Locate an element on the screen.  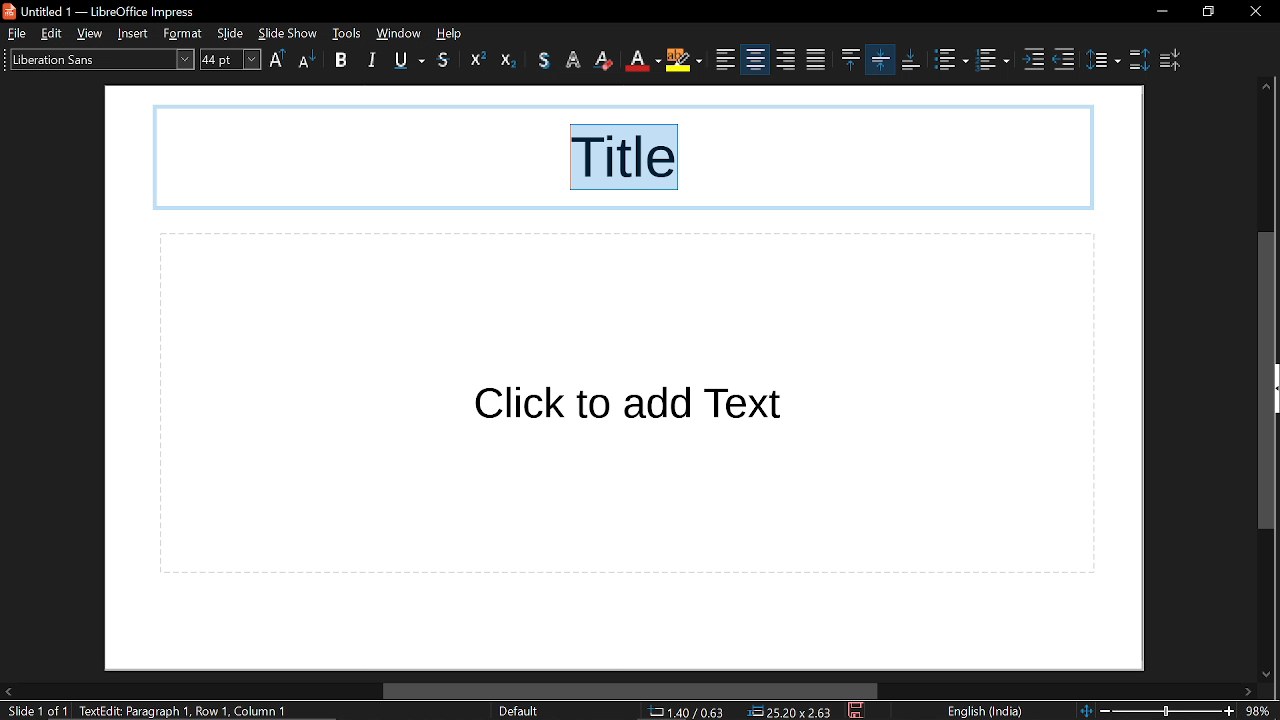
close is located at coordinates (1255, 12).